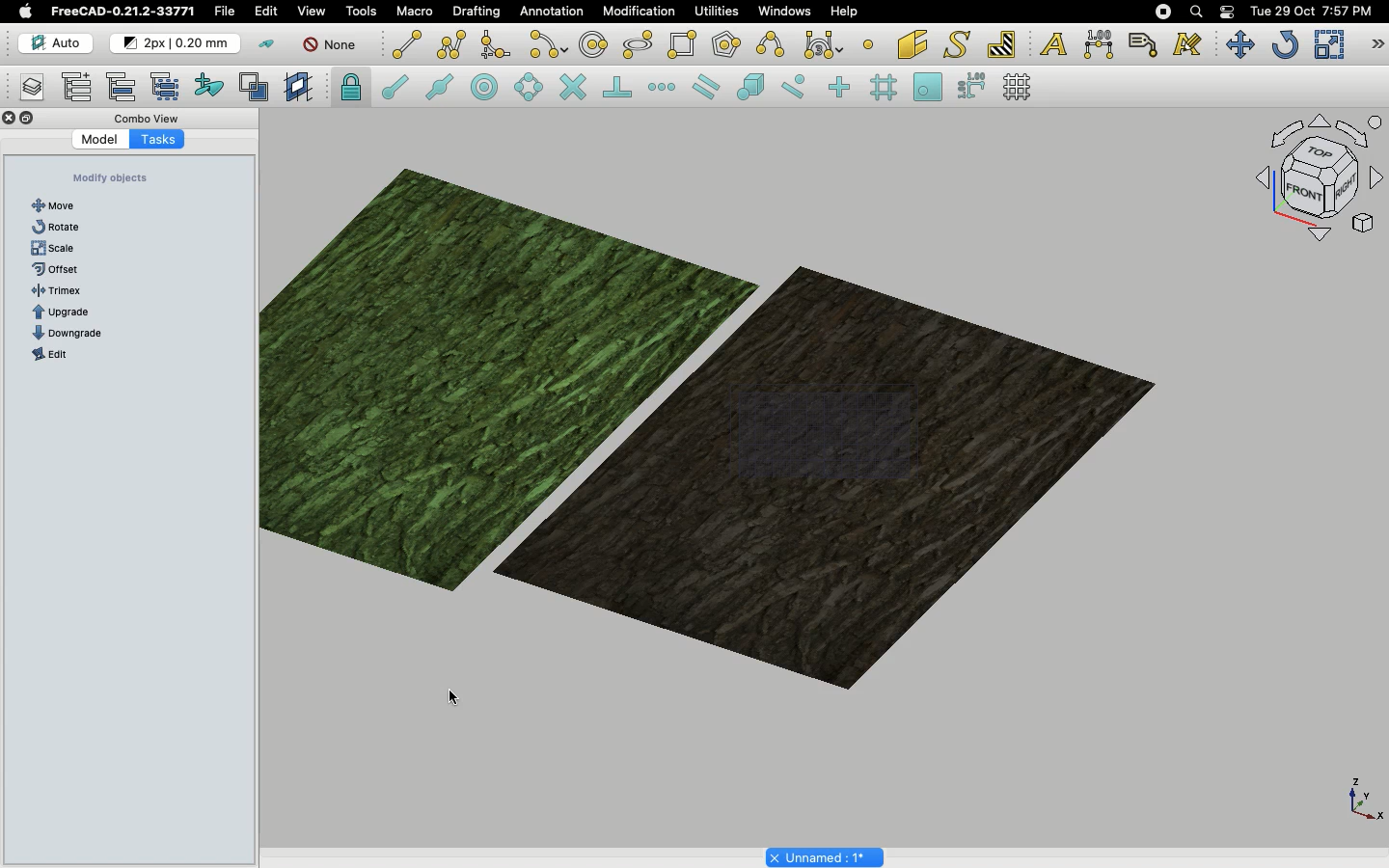 The height and width of the screenshot is (868, 1389). I want to click on Navigation styles, so click(1318, 181).